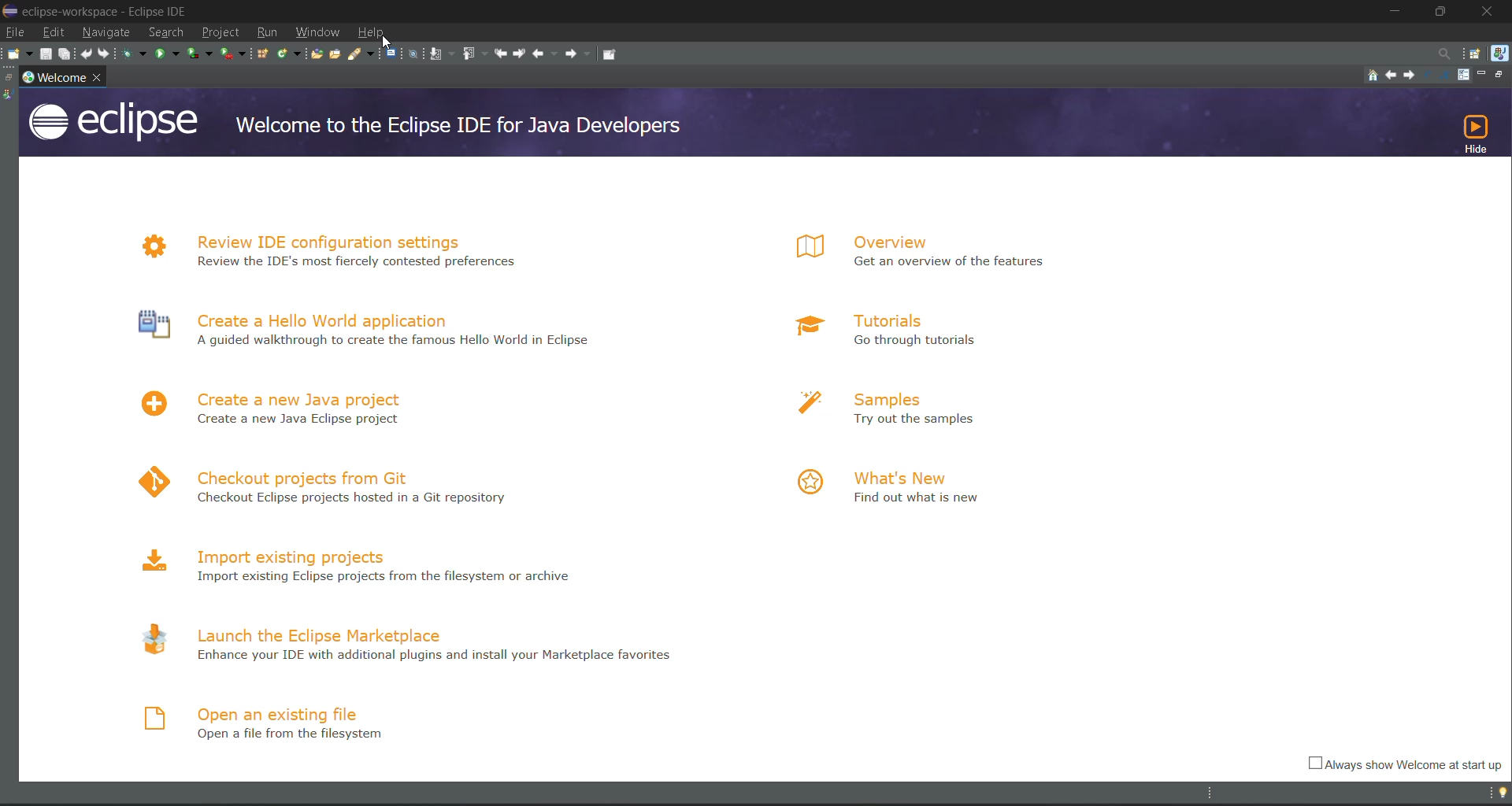 Image resolution: width=1512 pixels, height=806 pixels. What do you see at coordinates (111, 122) in the screenshot?
I see `eclipse` at bounding box center [111, 122].